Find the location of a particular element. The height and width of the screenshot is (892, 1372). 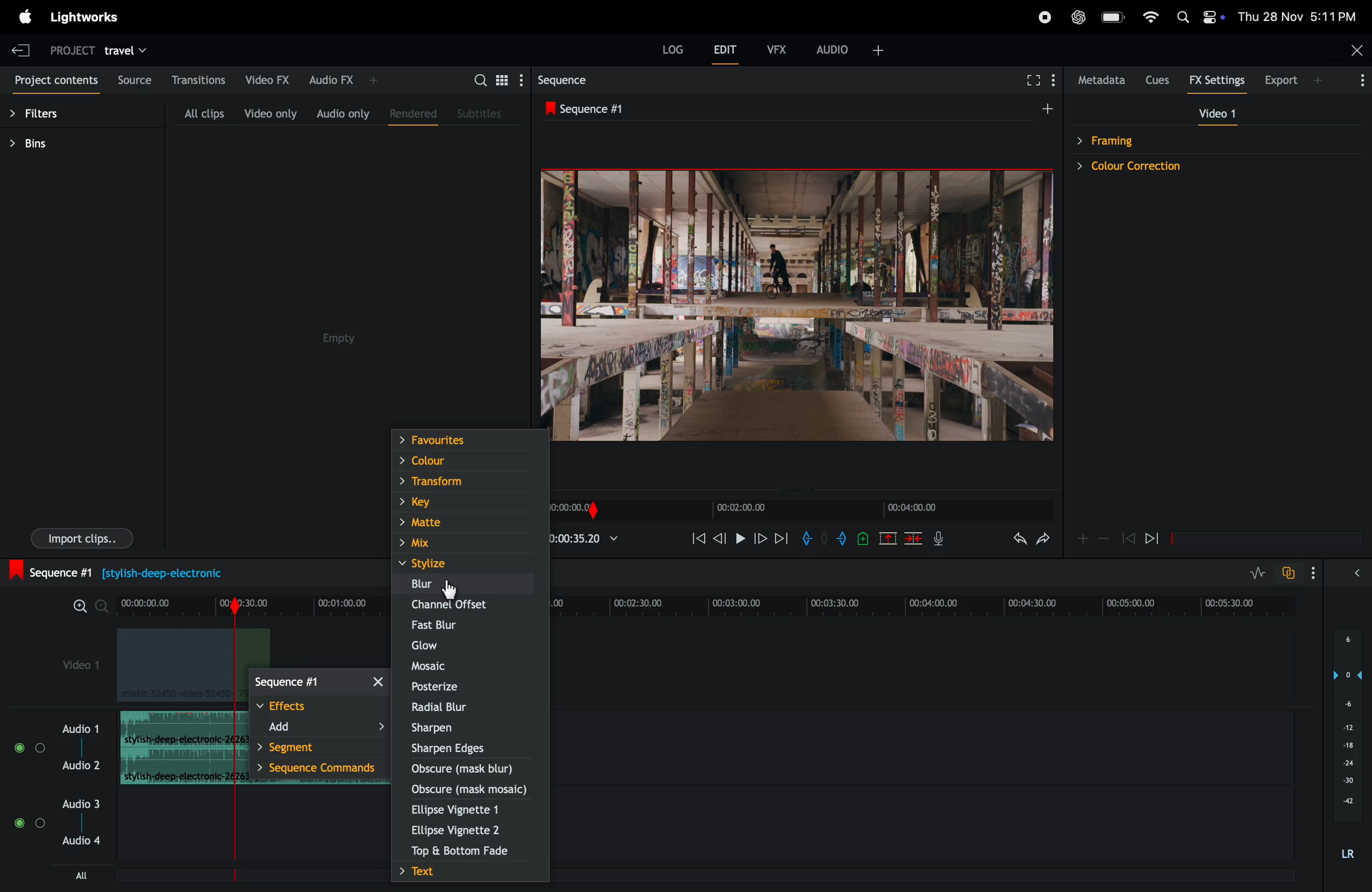

sequence is located at coordinates (318, 681).